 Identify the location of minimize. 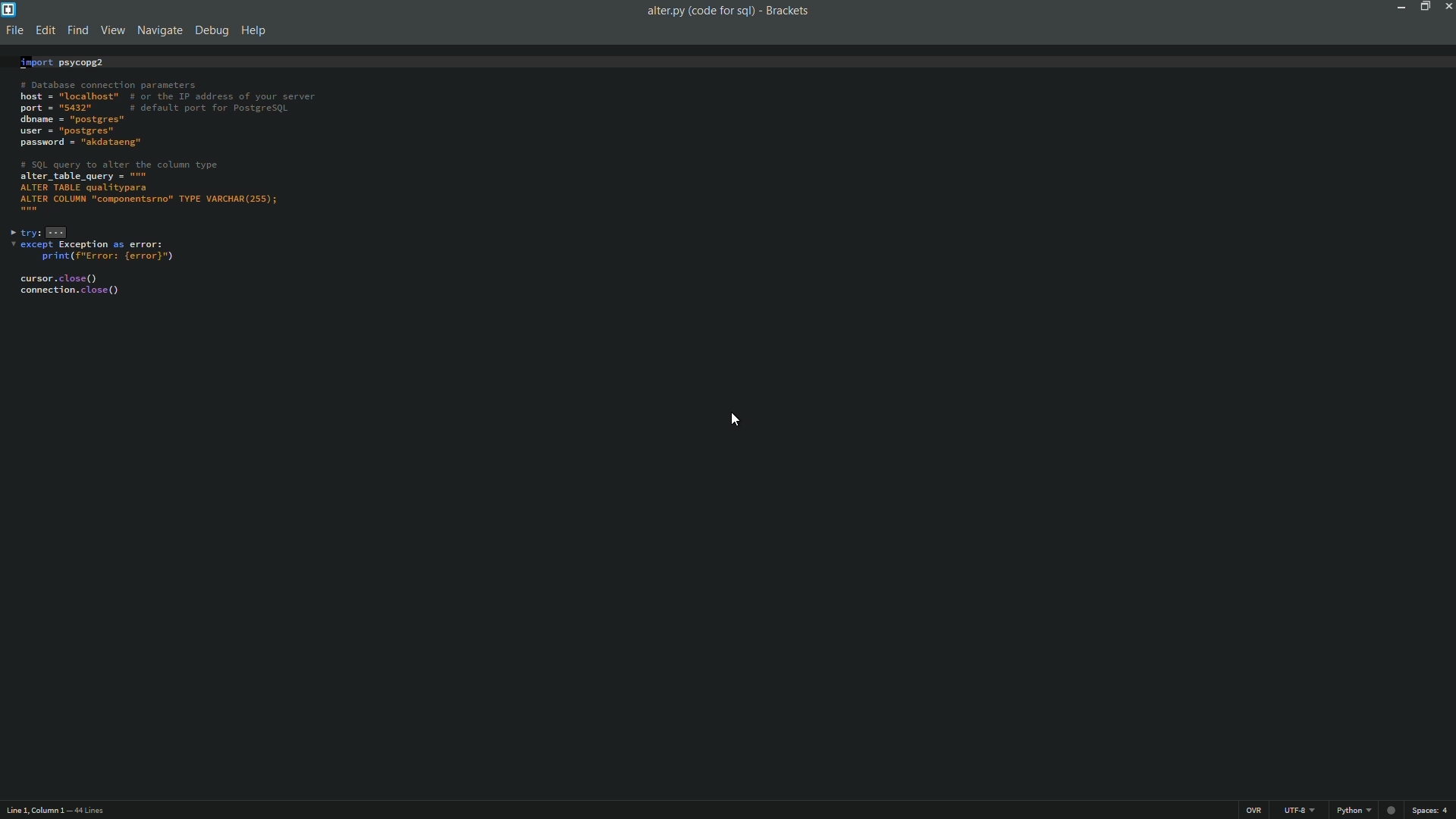
(1398, 8).